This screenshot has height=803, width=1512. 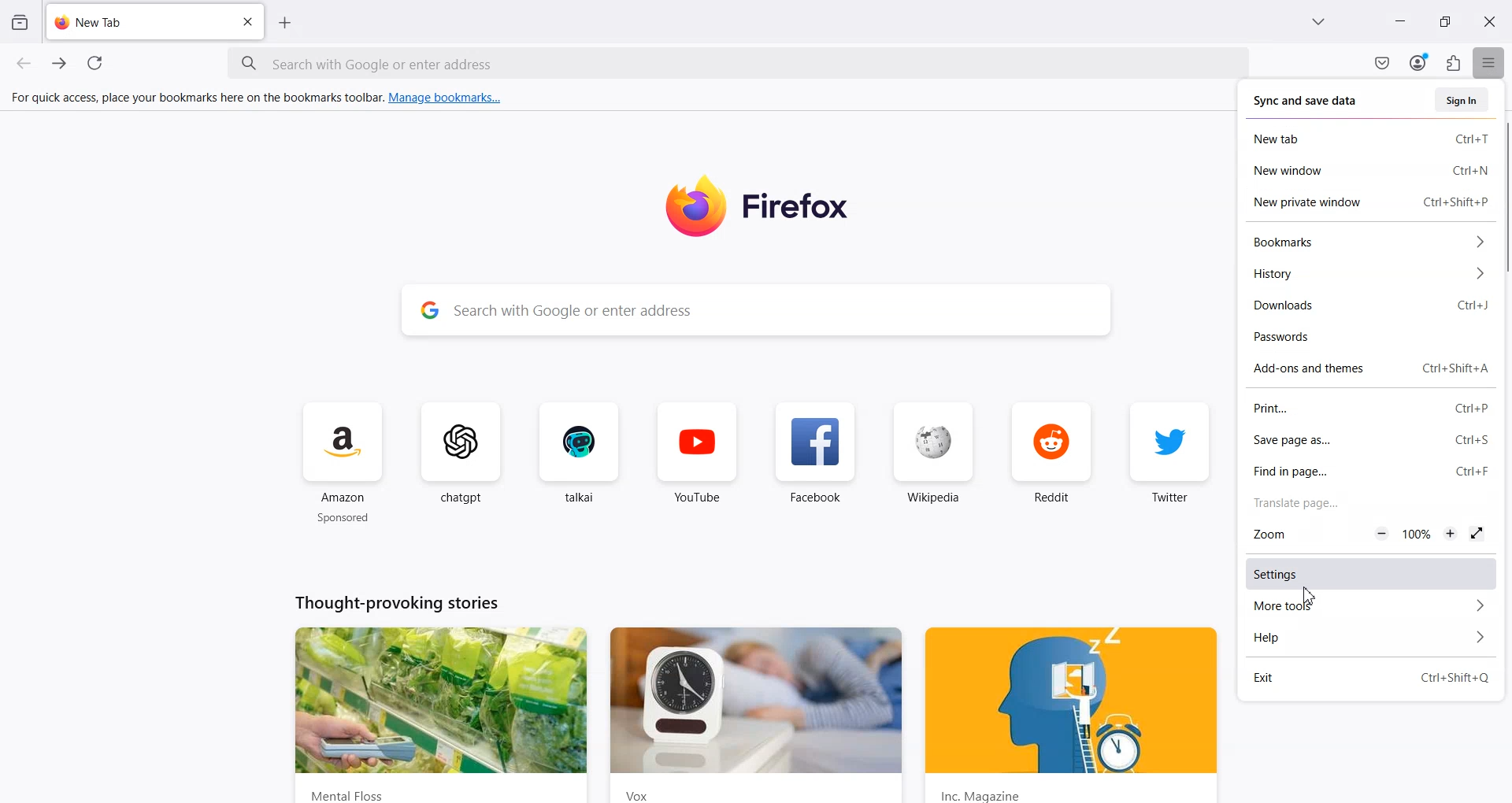 What do you see at coordinates (286, 22) in the screenshot?
I see `New Tab` at bounding box center [286, 22].